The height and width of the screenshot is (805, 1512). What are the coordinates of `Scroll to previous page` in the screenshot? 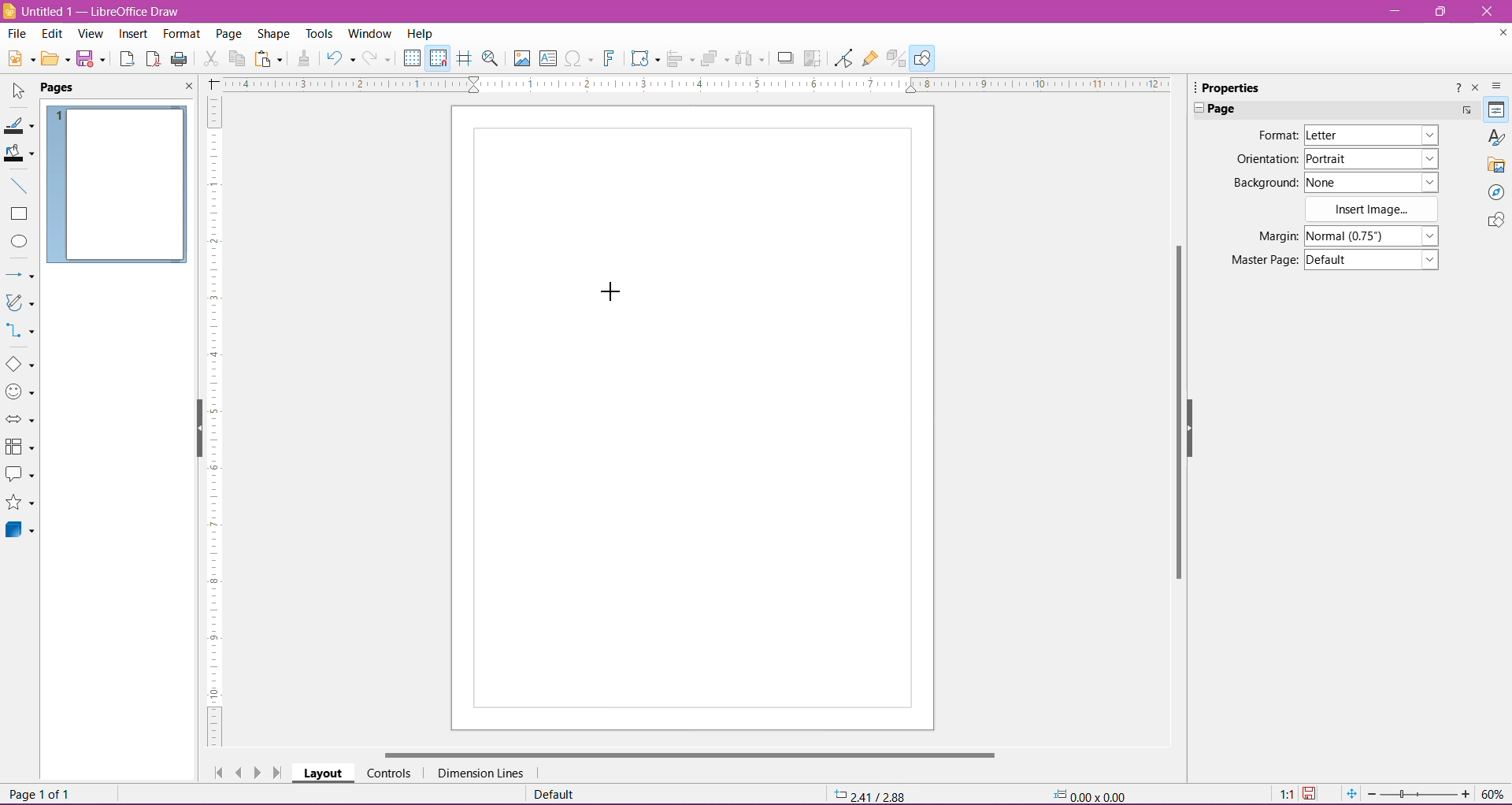 It's located at (239, 772).